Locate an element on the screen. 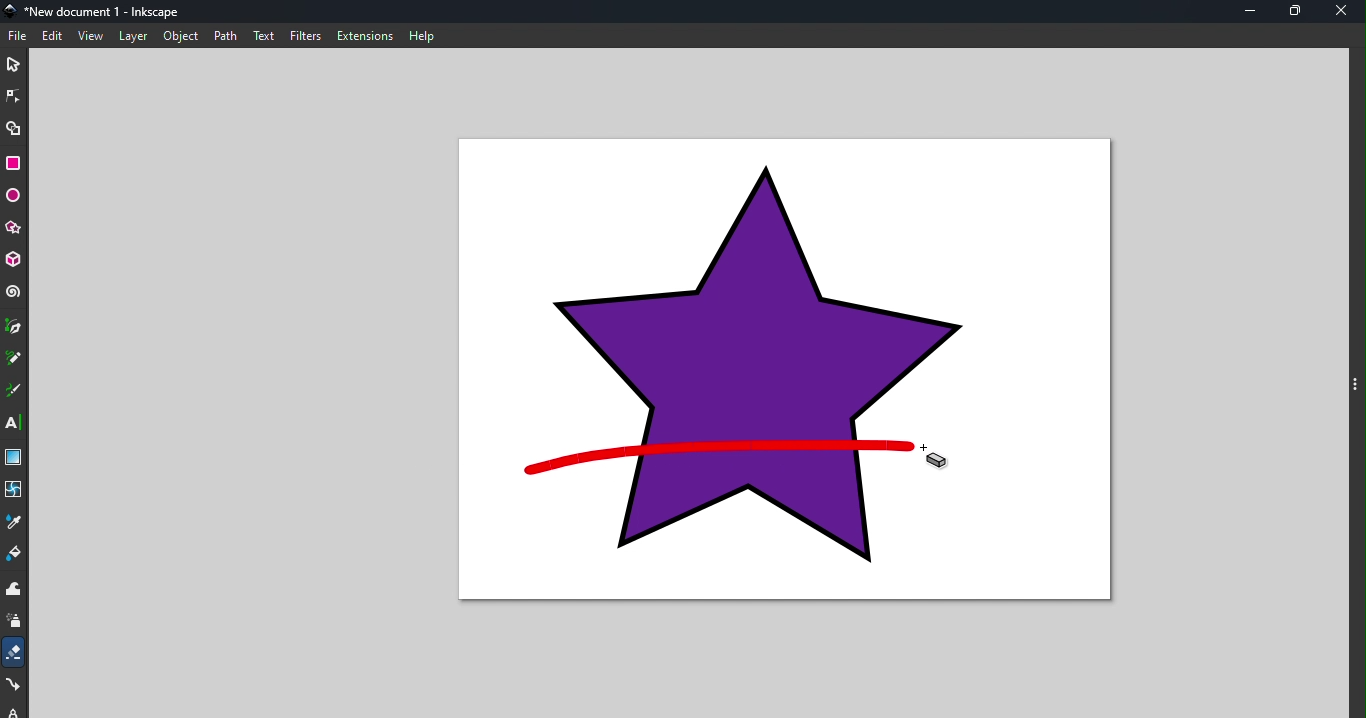 This screenshot has width=1366, height=718. paint bucket tool is located at coordinates (15, 555).